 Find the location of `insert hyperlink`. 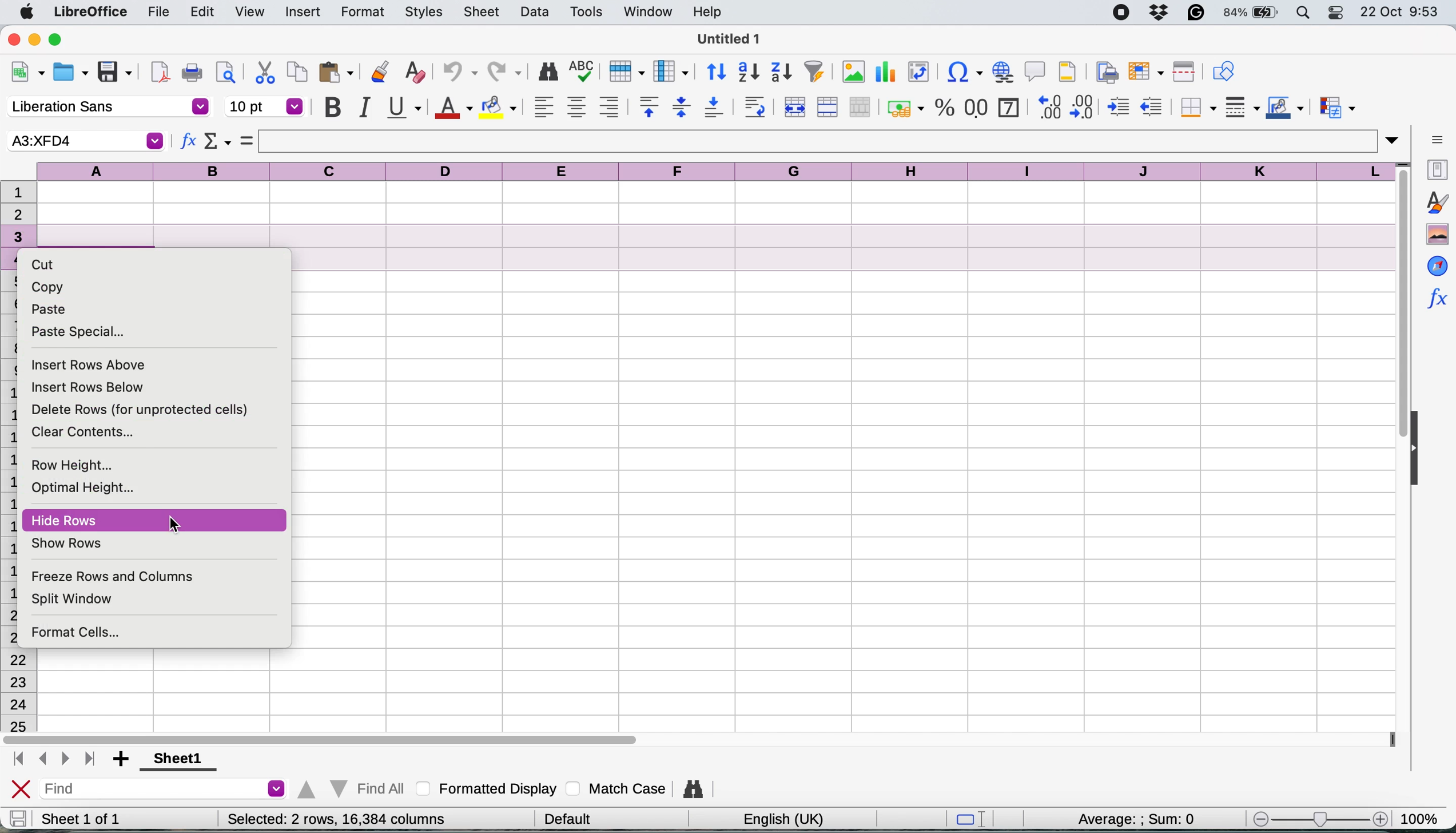

insert hyperlink is located at coordinates (1001, 71).